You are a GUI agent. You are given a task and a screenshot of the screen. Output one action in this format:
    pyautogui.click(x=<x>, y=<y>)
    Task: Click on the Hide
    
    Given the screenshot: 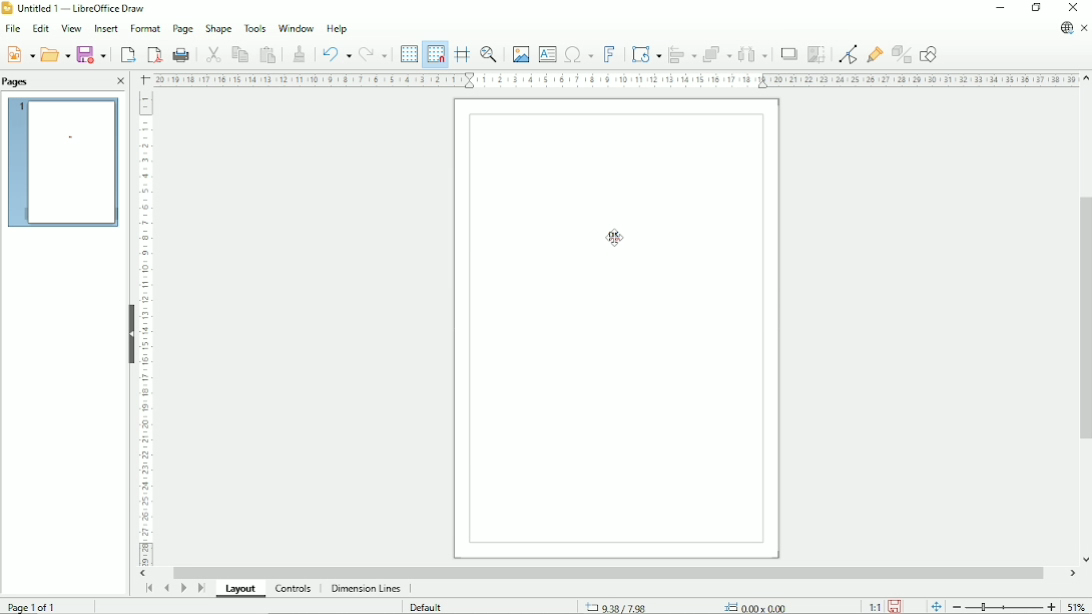 What is the action you would take?
    pyautogui.click(x=129, y=331)
    